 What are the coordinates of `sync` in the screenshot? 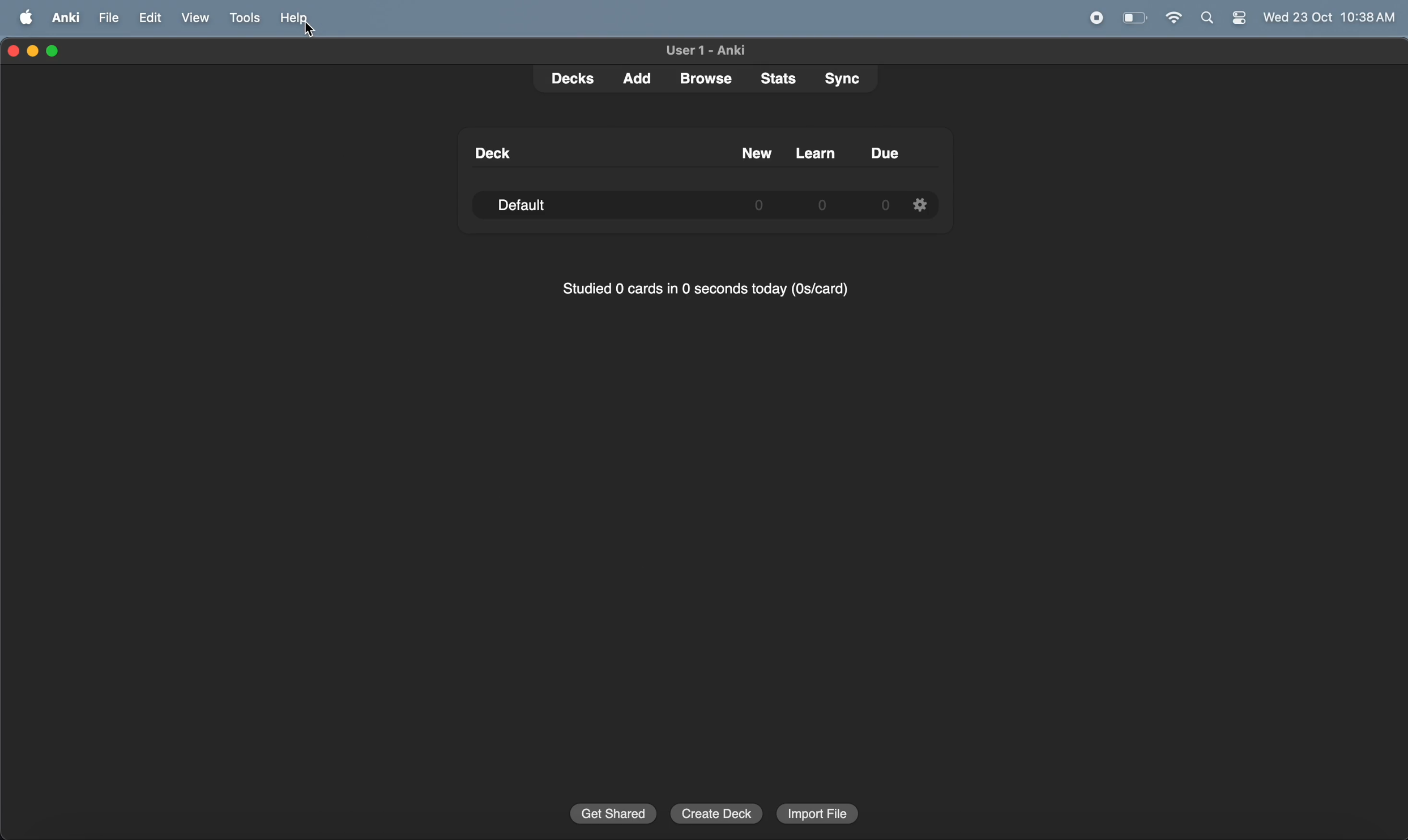 It's located at (839, 79).